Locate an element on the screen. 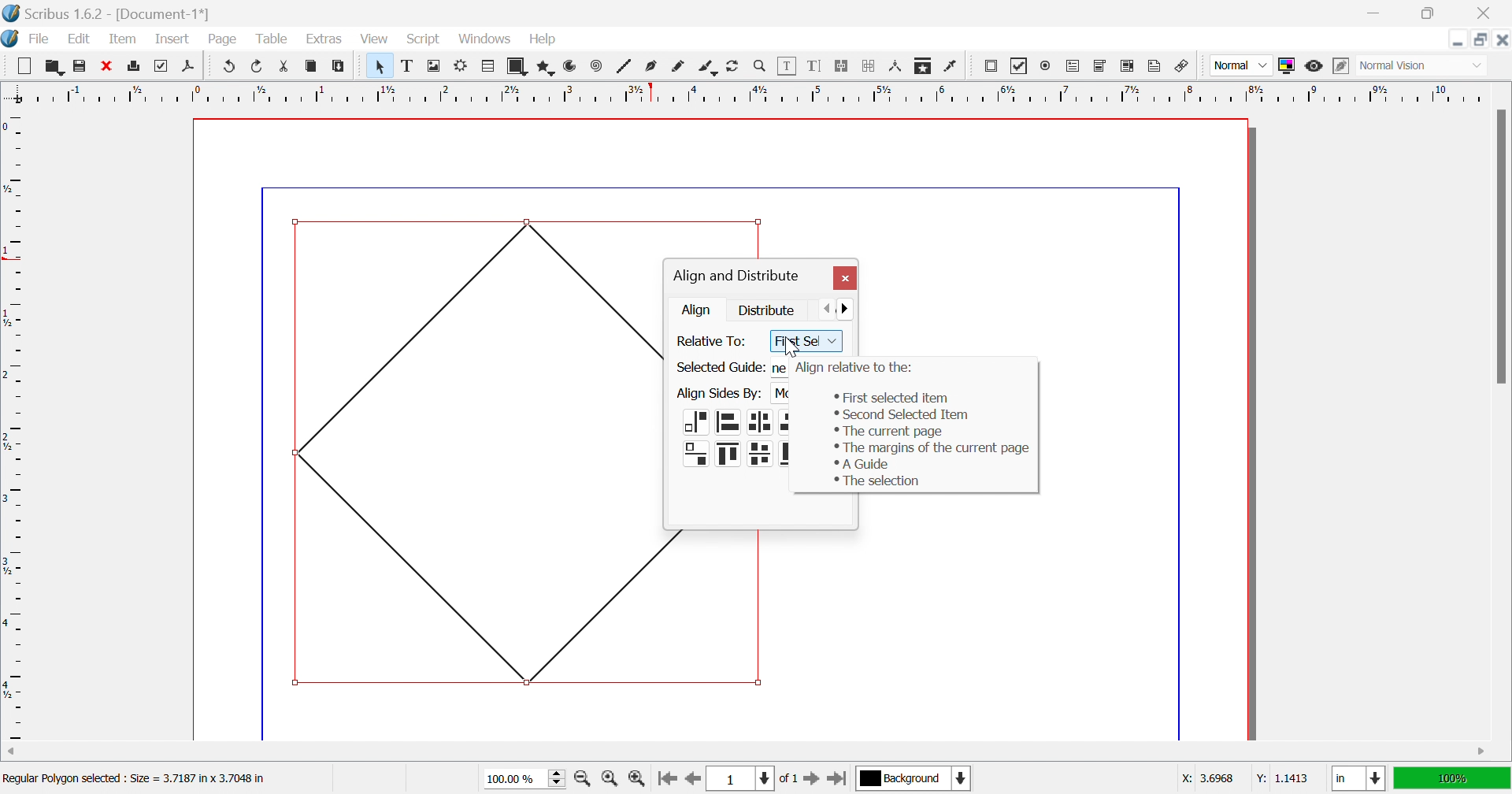  PDF List box is located at coordinates (1128, 65).